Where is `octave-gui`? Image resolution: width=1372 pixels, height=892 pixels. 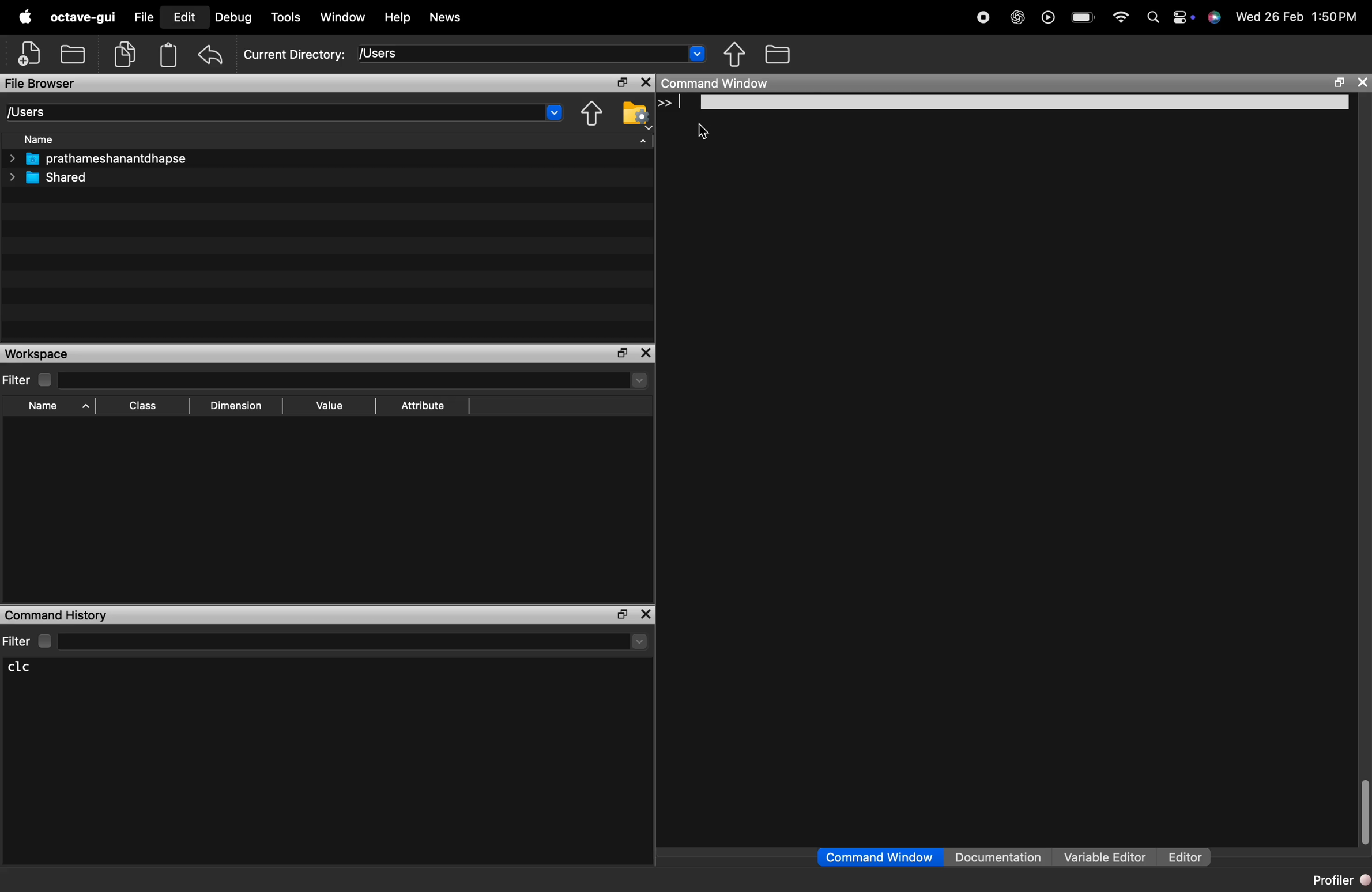
octave-gui is located at coordinates (85, 17).